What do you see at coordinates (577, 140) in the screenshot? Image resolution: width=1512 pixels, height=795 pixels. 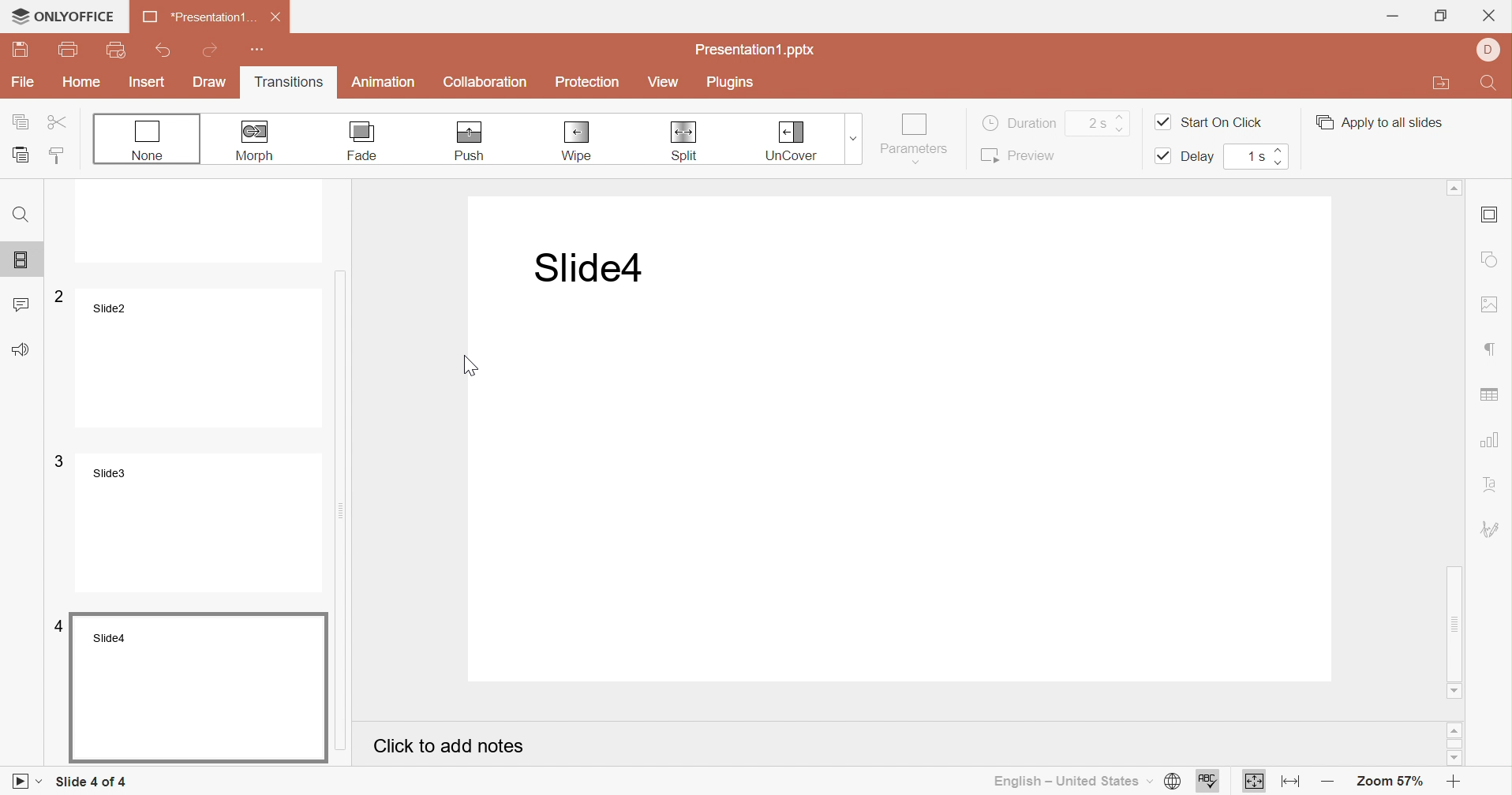 I see `Wipe` at bounding box center [577, 140].